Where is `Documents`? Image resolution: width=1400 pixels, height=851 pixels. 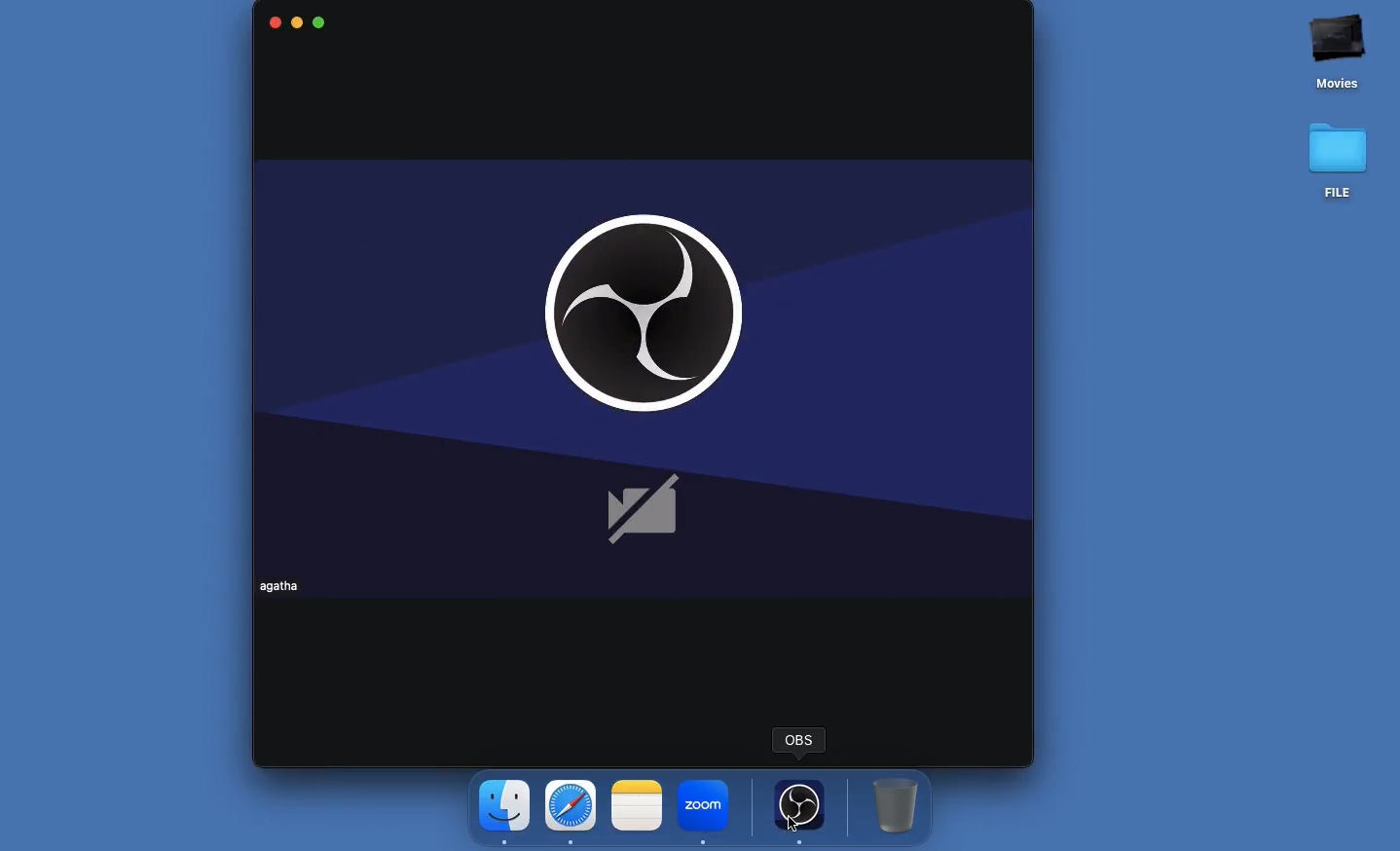 Documents is located at coordinates (1340, 108).